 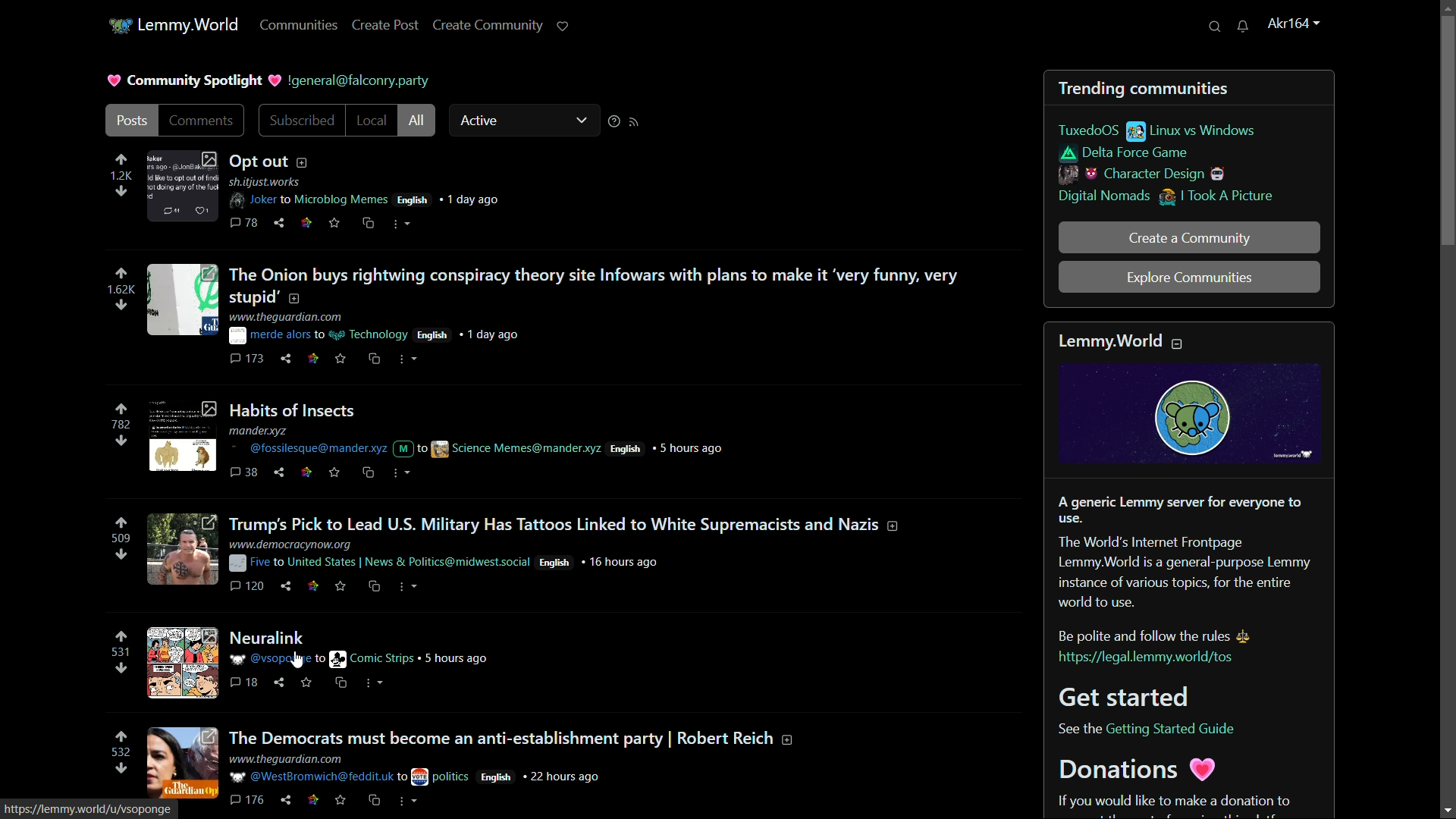 I want to click on unread messages, so click(x=1243, y=27).